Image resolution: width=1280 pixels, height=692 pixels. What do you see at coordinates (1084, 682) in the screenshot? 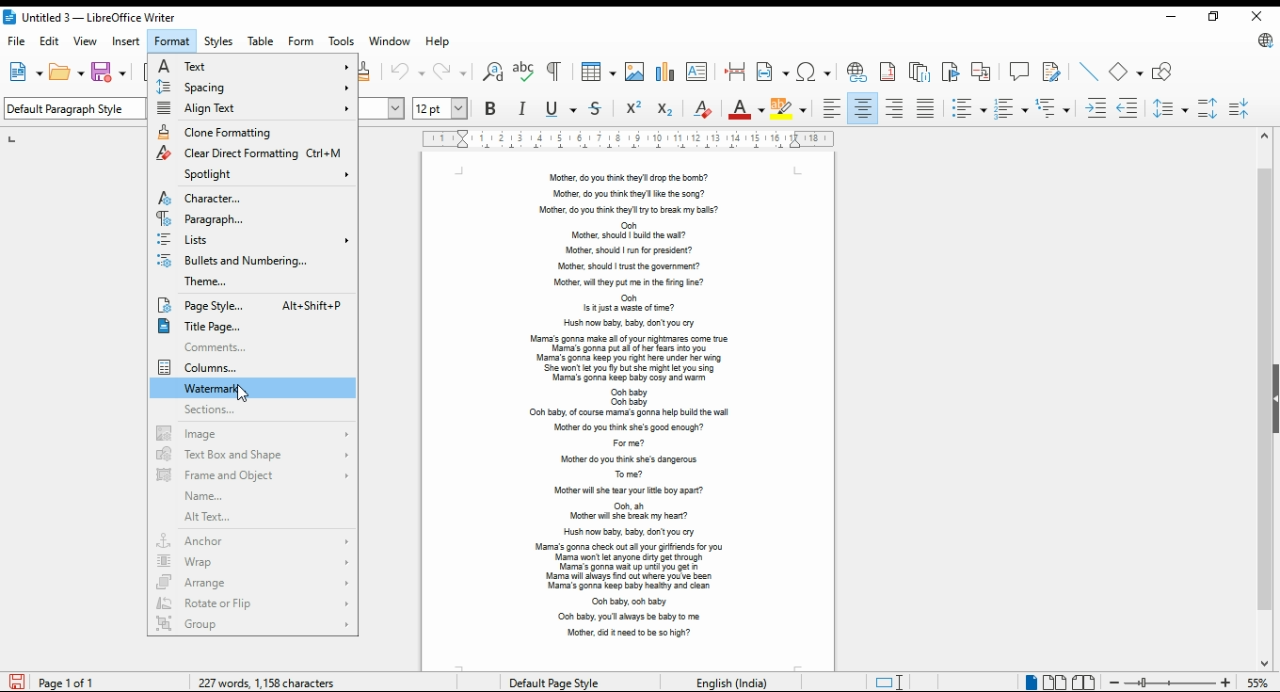
I see `book view` at bounding box center [1084, 682].